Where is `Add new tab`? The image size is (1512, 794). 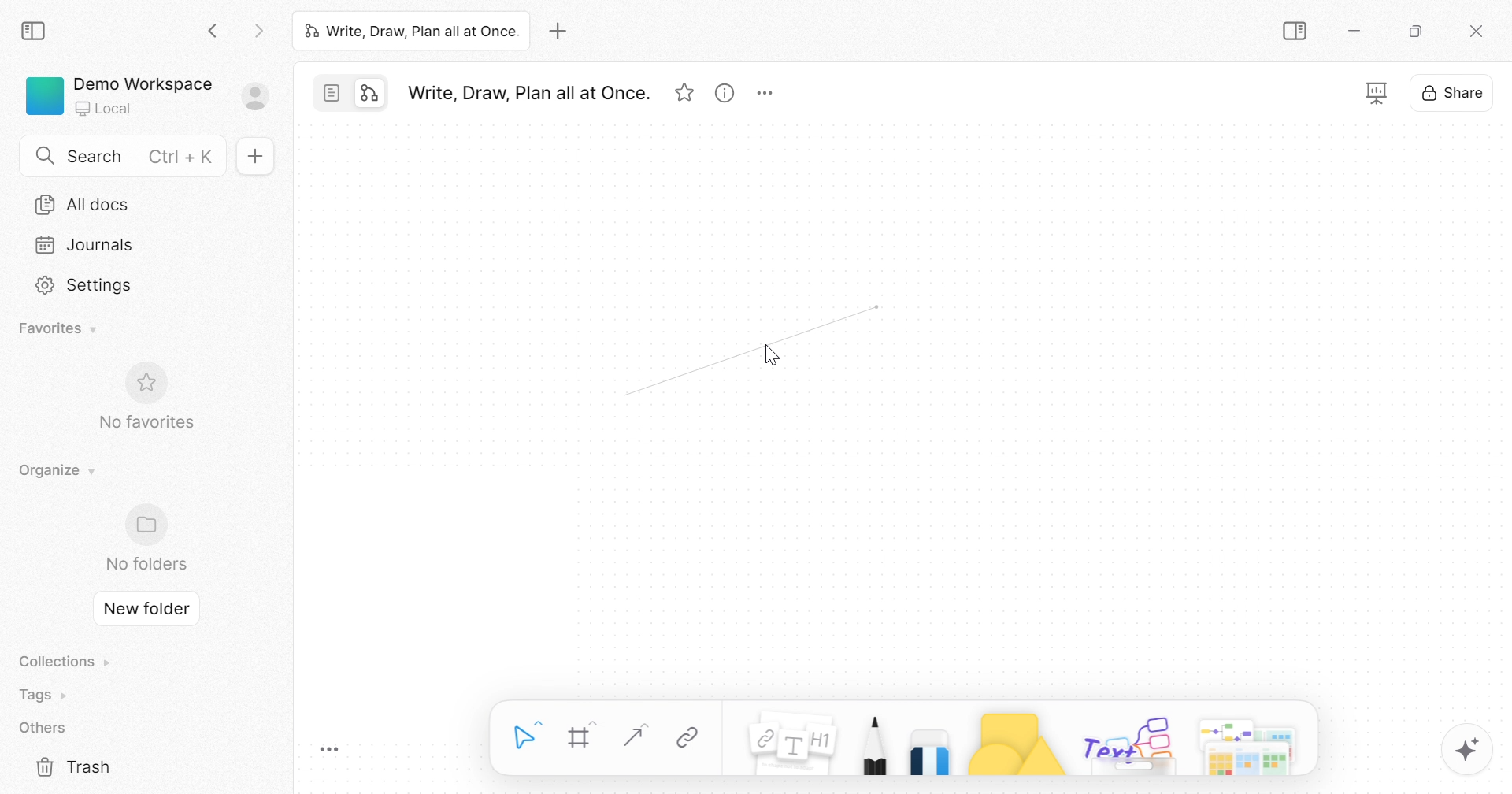 Add new tab is located at coordinates (561, 31).